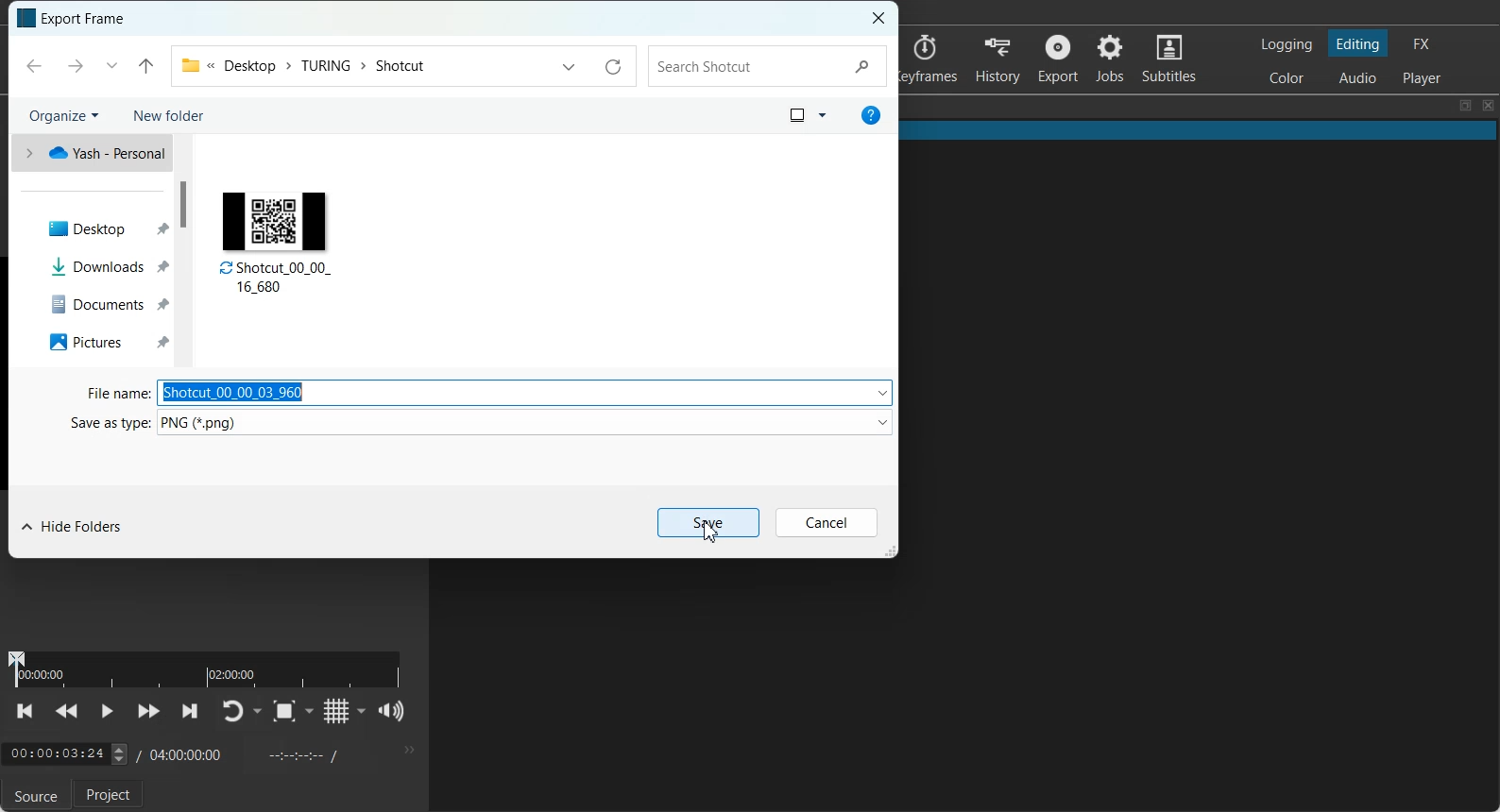  Describe the element at coordinates (1465, 106) in the screenshot. I see `Maximize` at that location.